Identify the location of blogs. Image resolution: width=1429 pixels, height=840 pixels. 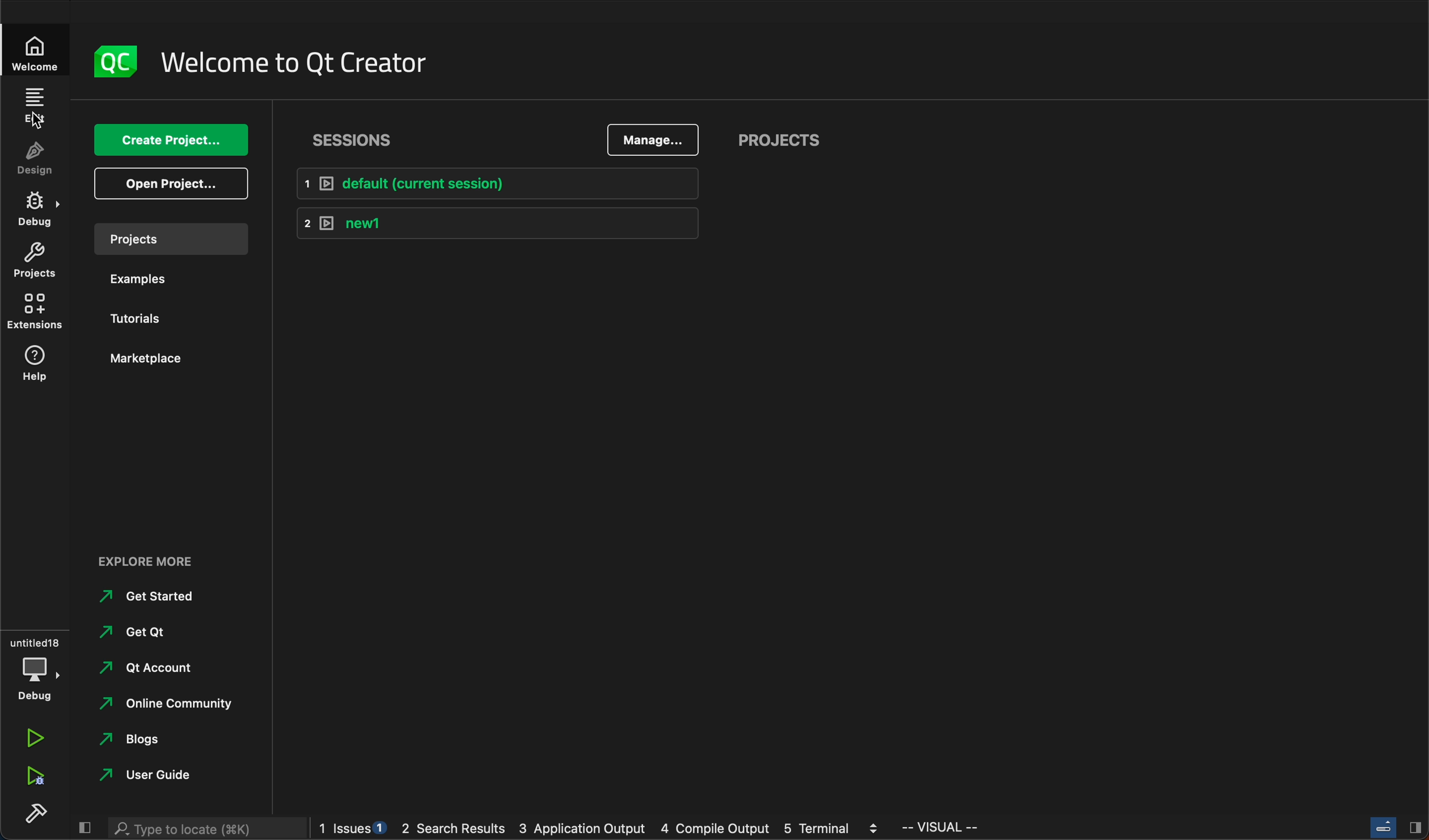
(133, 736).